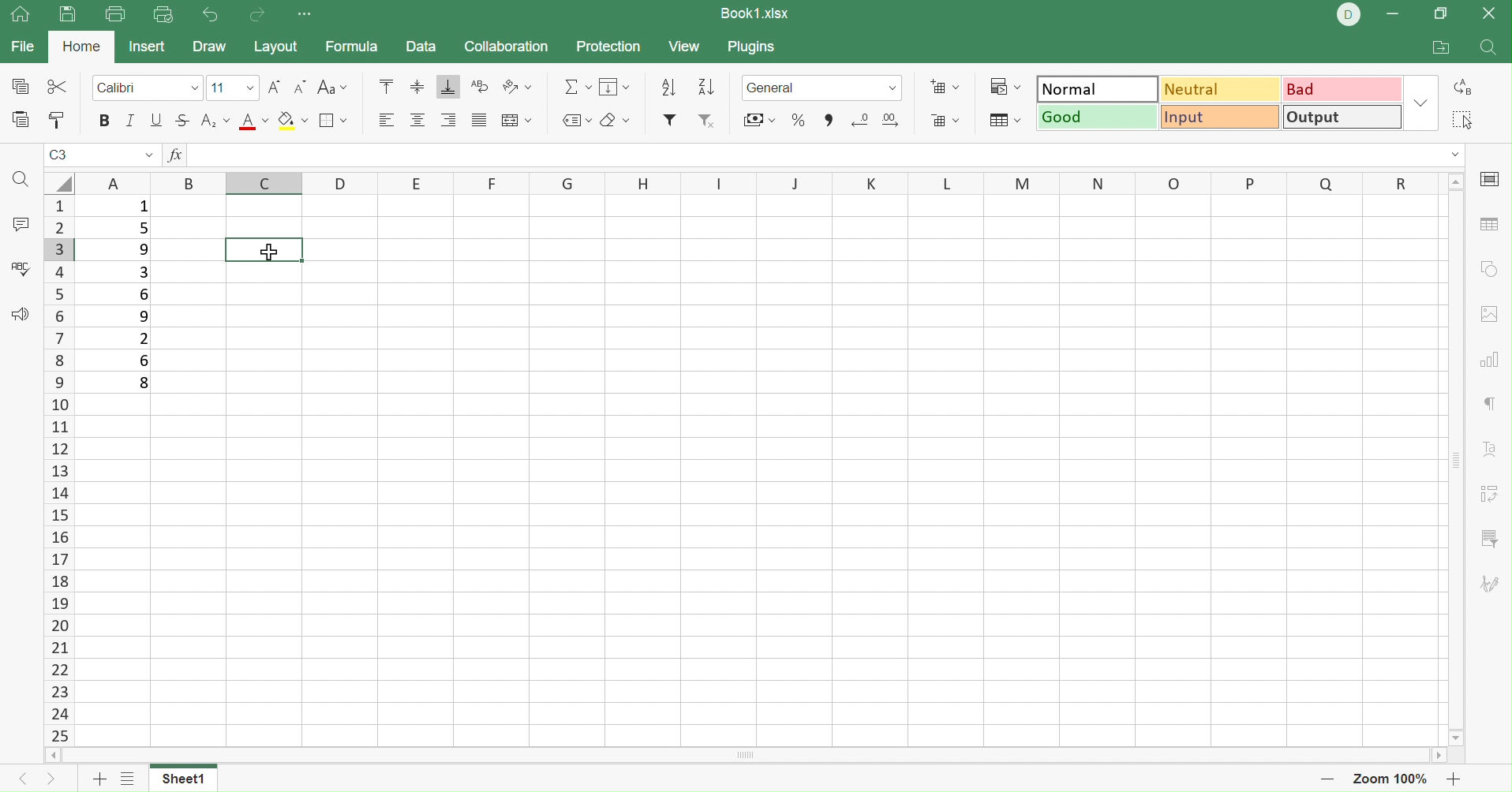 The image size is (1512, 792). What do you see at coordinates (1441, 49) in the screenshot?
I see `Open file location` at bounding box center [1441, 49].